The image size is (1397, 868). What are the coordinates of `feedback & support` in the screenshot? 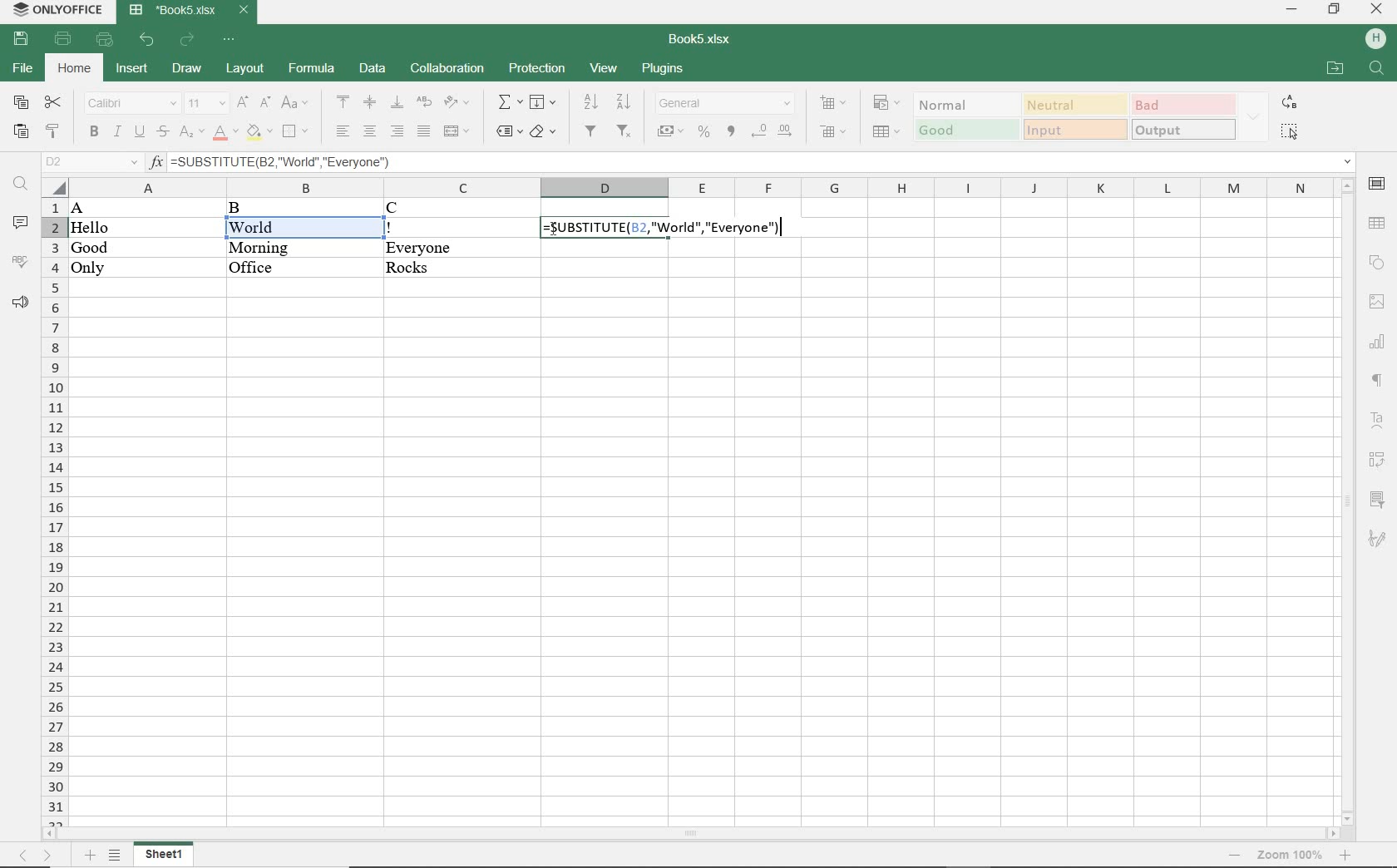 It's located at (21, 304).